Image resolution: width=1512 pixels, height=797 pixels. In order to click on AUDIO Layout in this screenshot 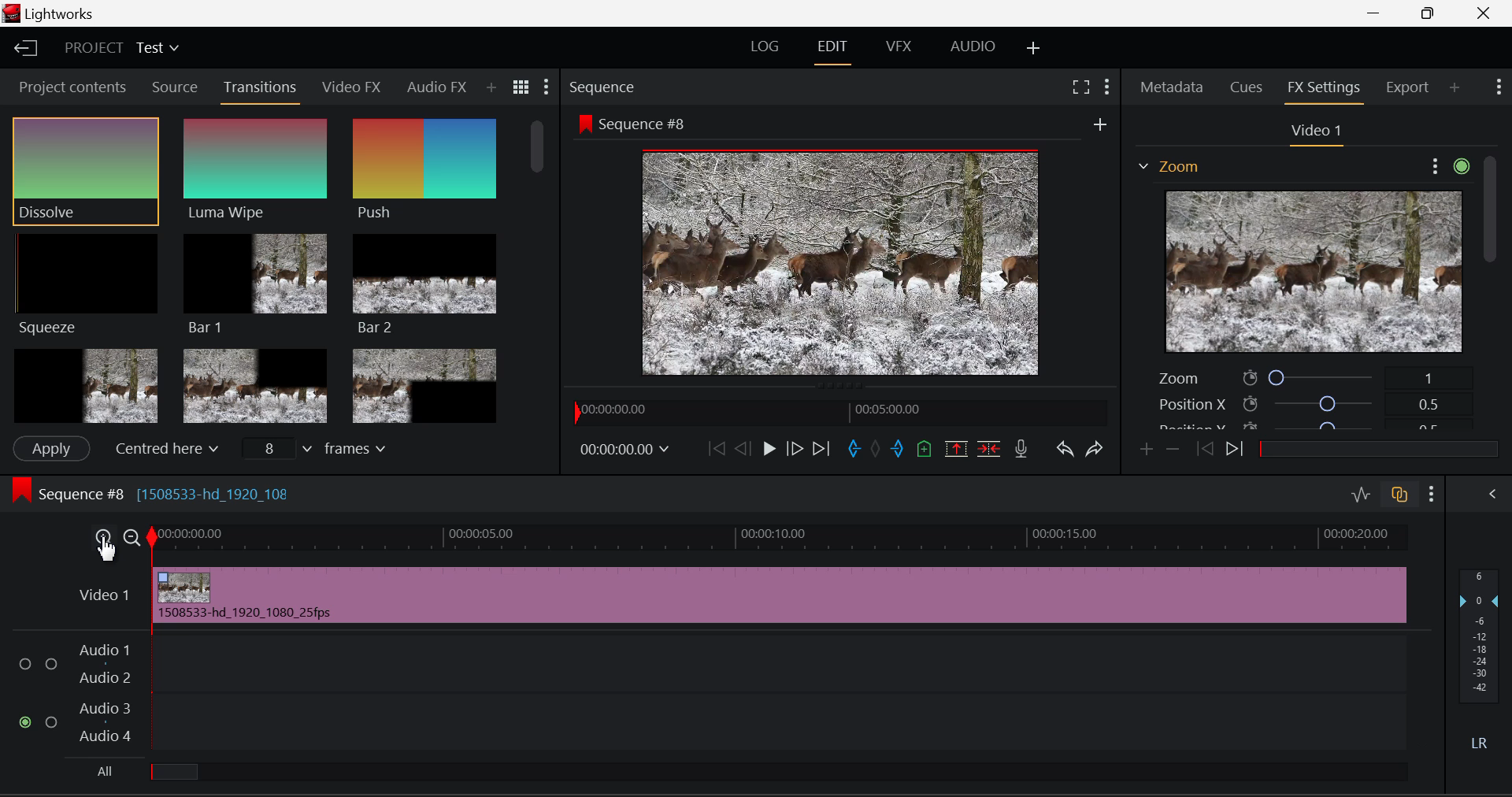, I will do `click(973, 44)`.